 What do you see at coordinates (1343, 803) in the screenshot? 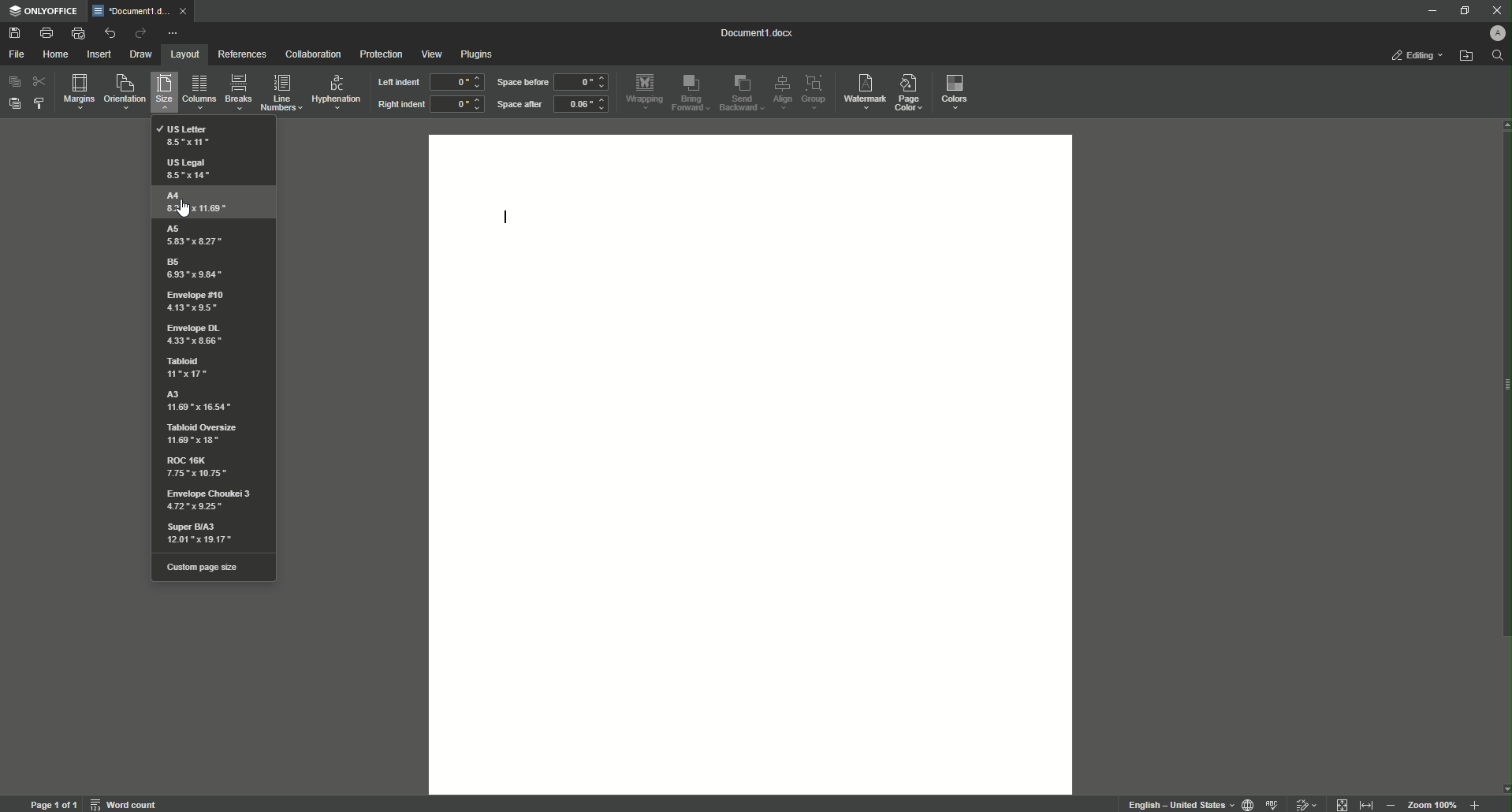
I see `Fit to Width` at bounding box center [1343, 803].